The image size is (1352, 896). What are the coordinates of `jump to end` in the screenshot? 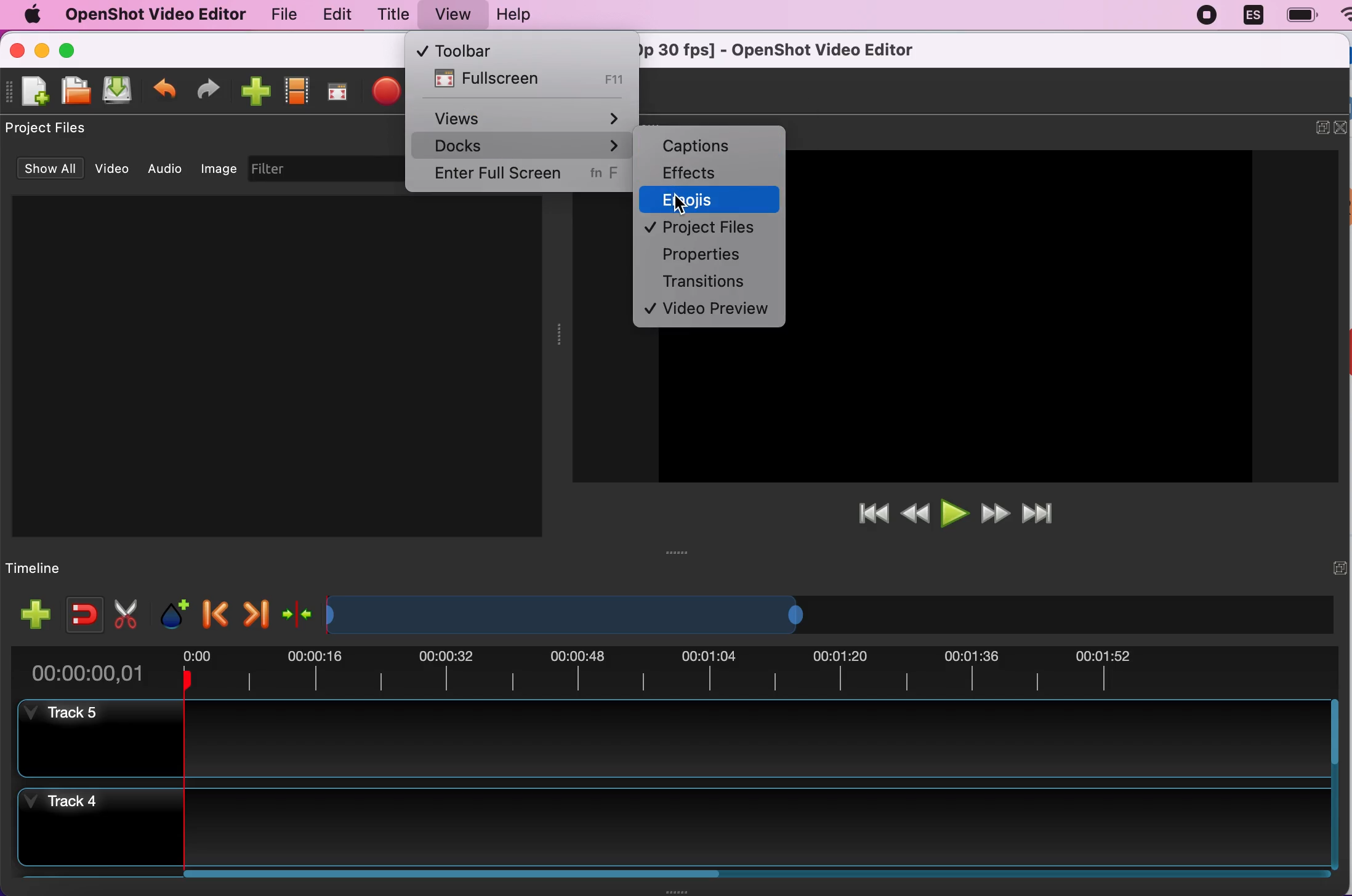 It's located at (1048, 509).